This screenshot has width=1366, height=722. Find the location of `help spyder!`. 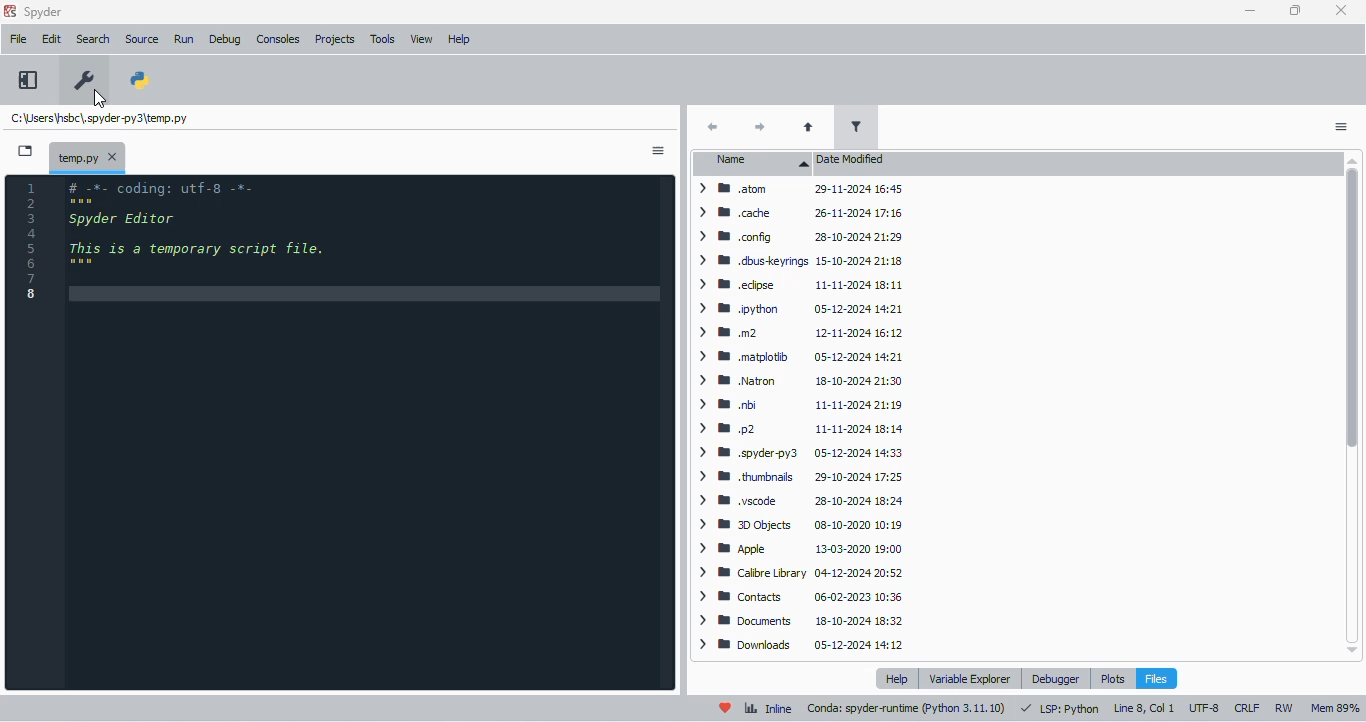

help spyder! is located at coordinates (726, 708).